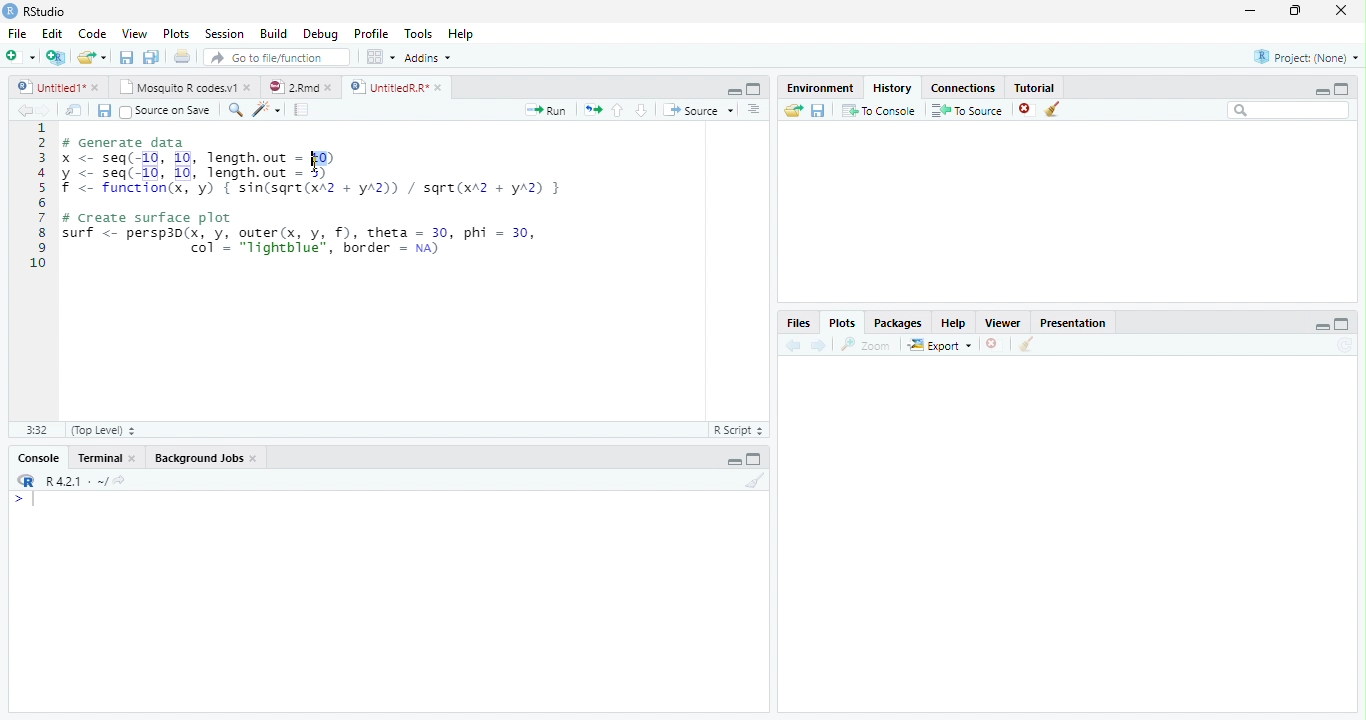 The height and width of the screenshot is (720, 1366). I want to click on Plots, so click(843, 322).